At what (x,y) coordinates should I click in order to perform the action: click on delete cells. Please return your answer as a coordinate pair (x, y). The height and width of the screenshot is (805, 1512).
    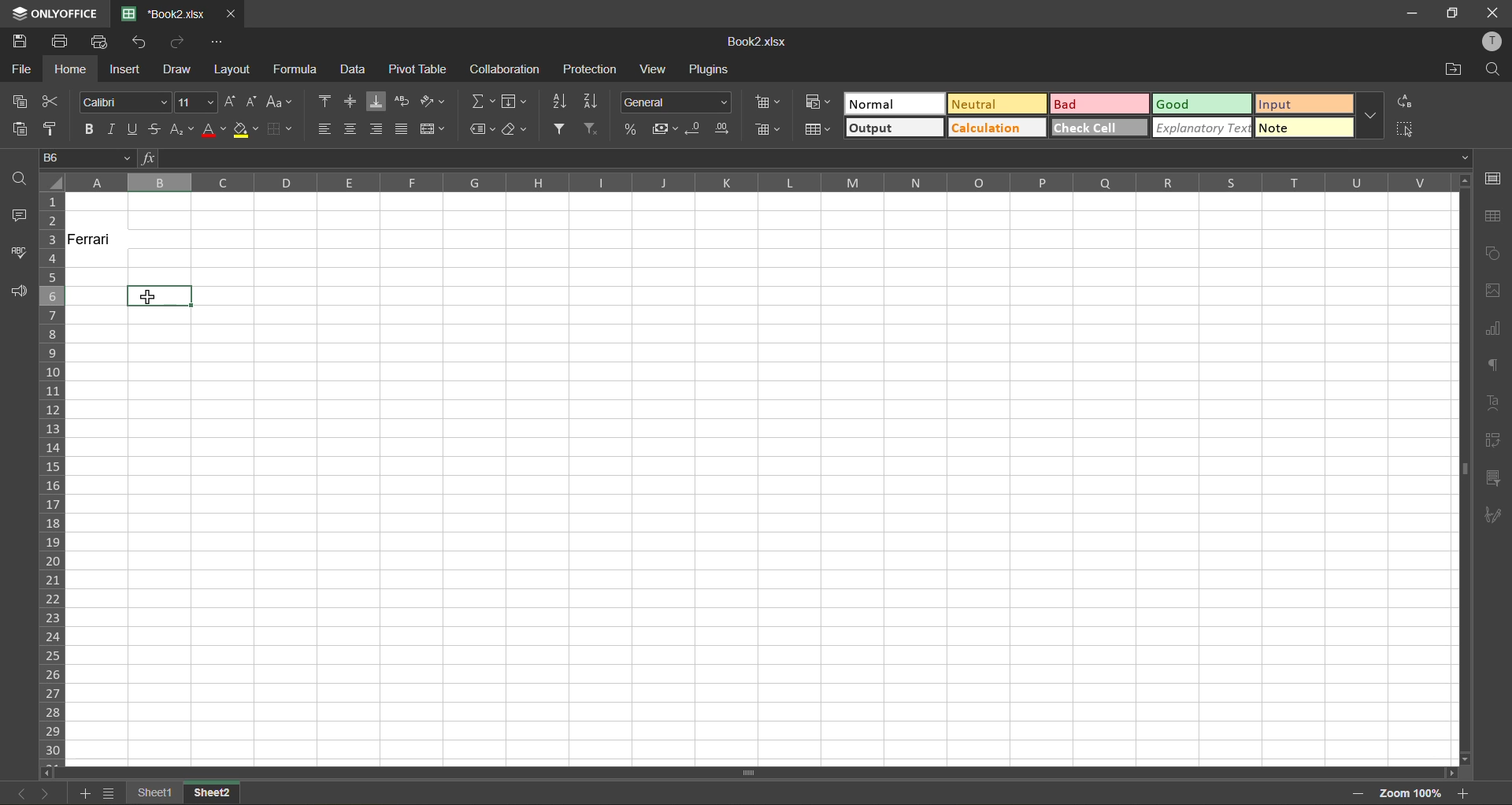
    Looking at the image, I should click on (768, 129).